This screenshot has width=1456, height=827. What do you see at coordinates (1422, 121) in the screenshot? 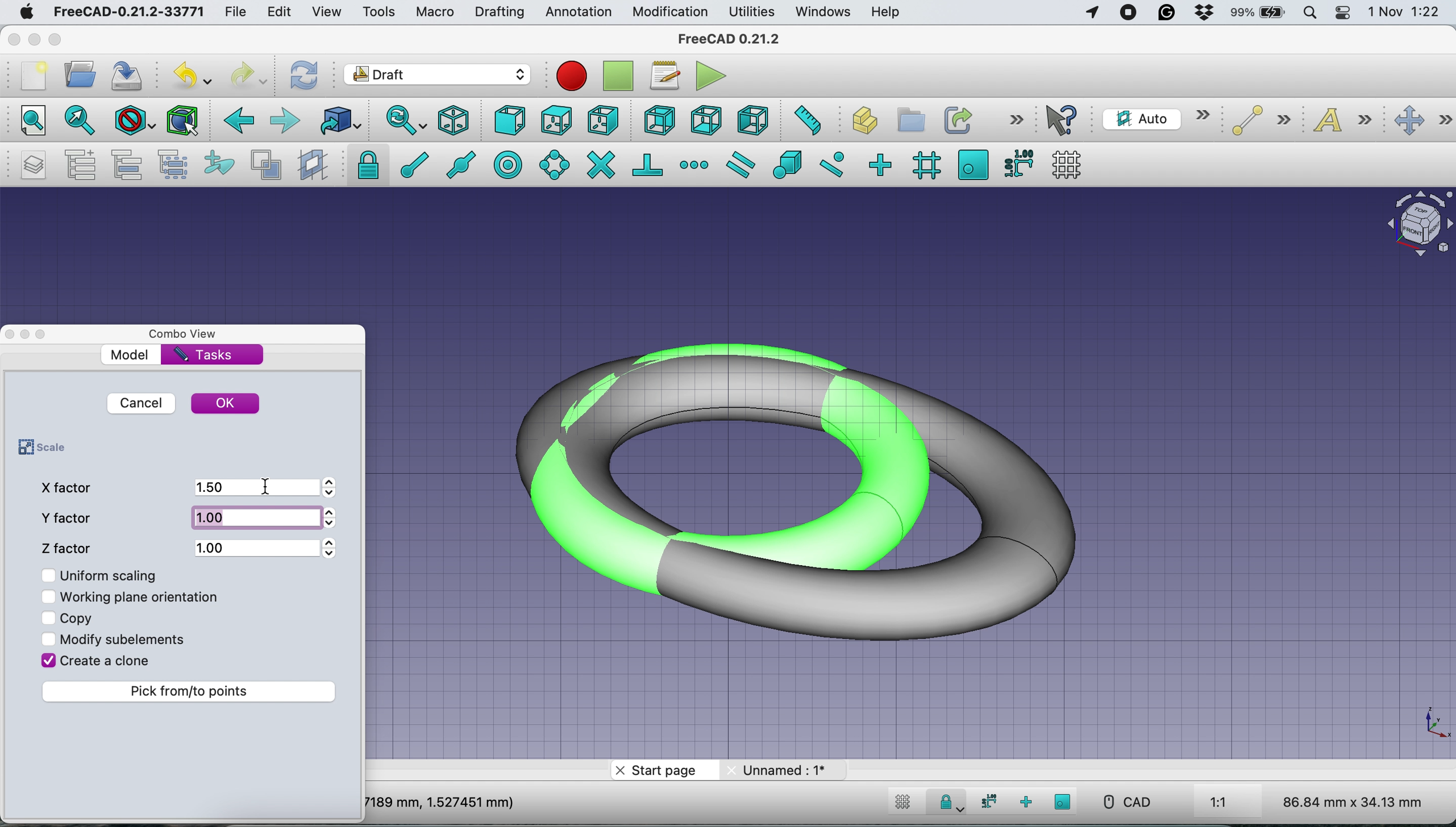
I see `move` at bounding box center [1422, 121].